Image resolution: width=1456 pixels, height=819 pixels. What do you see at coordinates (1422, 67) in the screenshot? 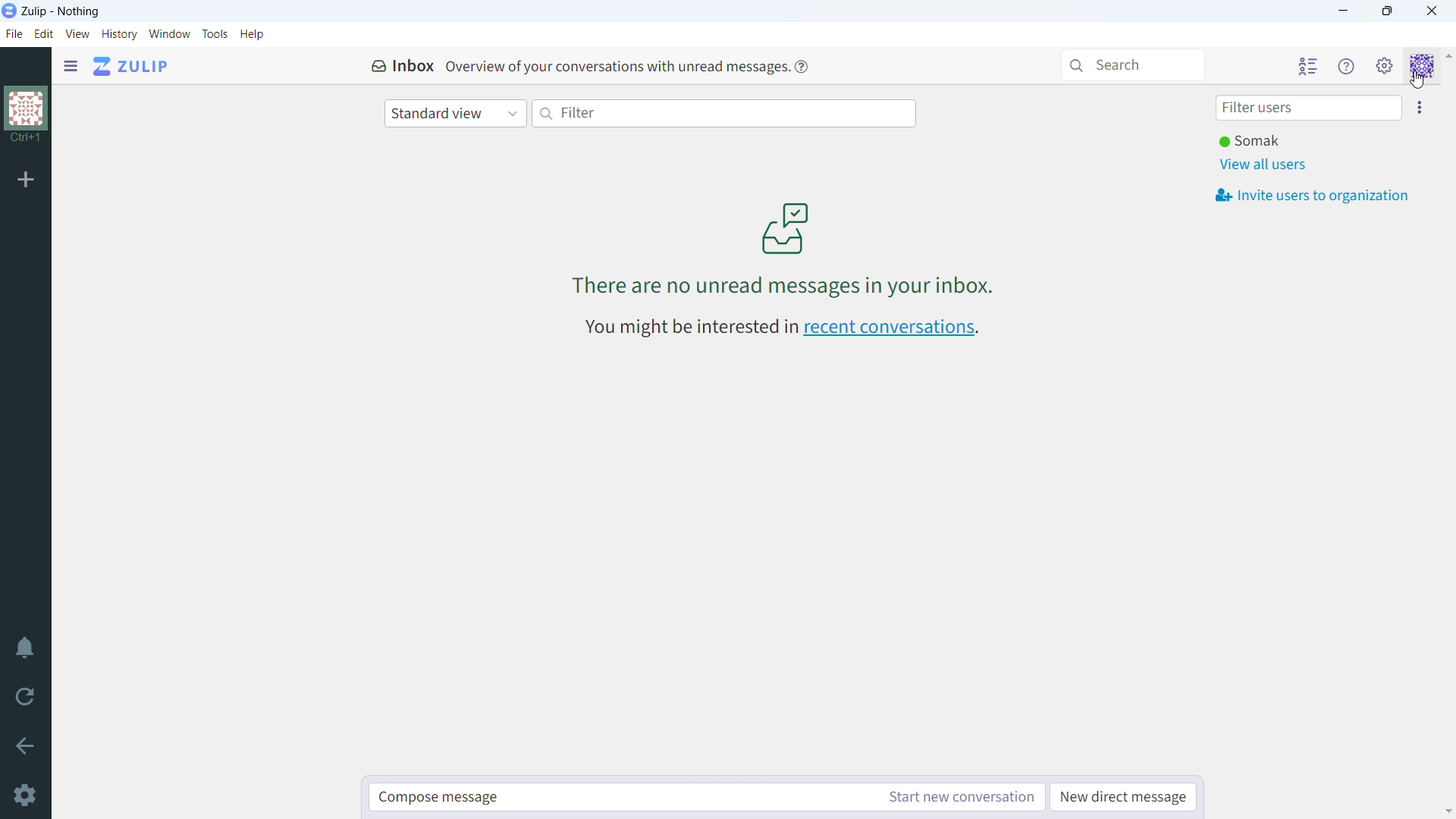
I see `profile menu` at bounding box center [1422, 67].